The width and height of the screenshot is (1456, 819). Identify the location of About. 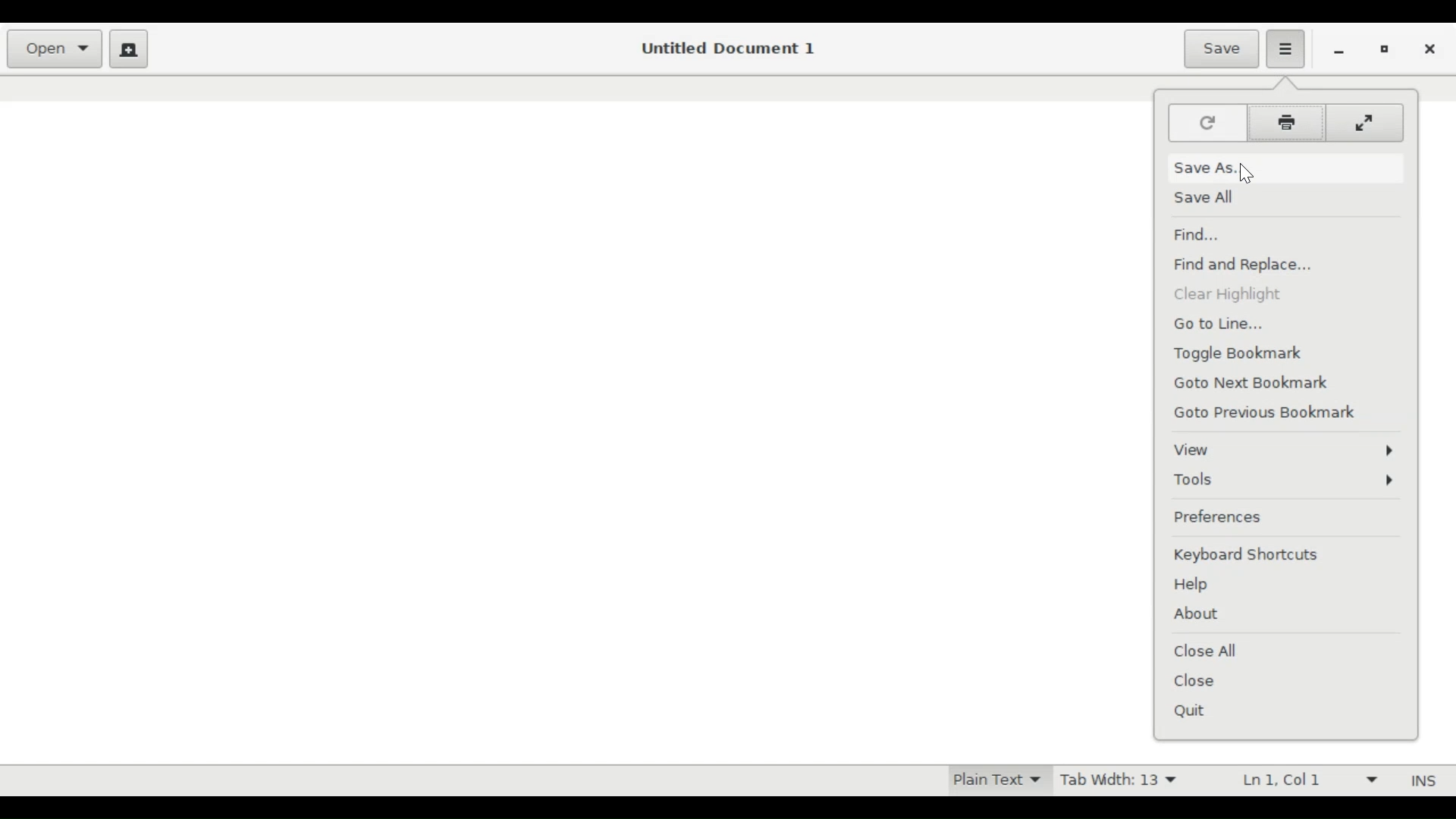
(1195, 616).